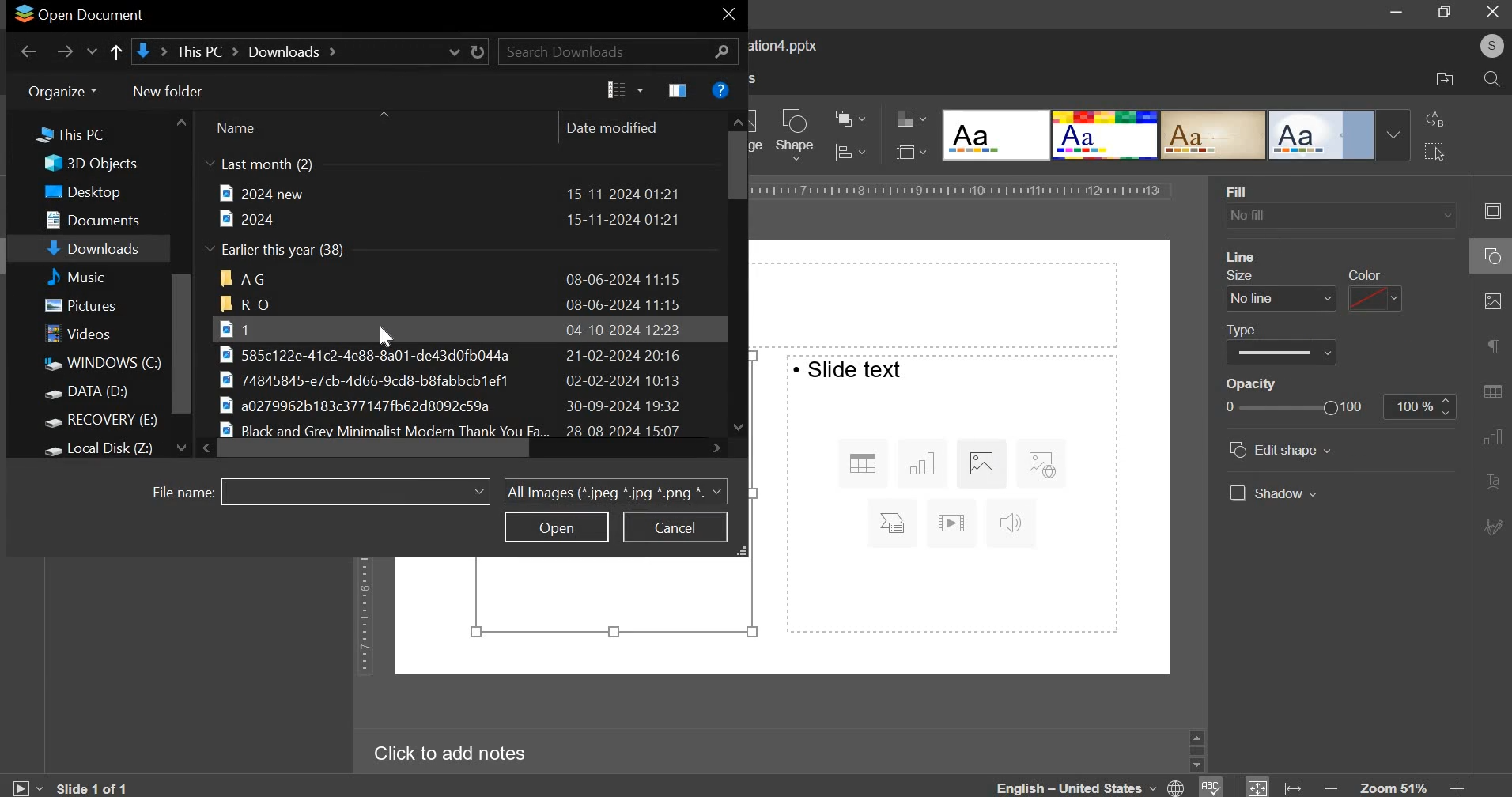  I want to click on d drive, so click(96, 394).